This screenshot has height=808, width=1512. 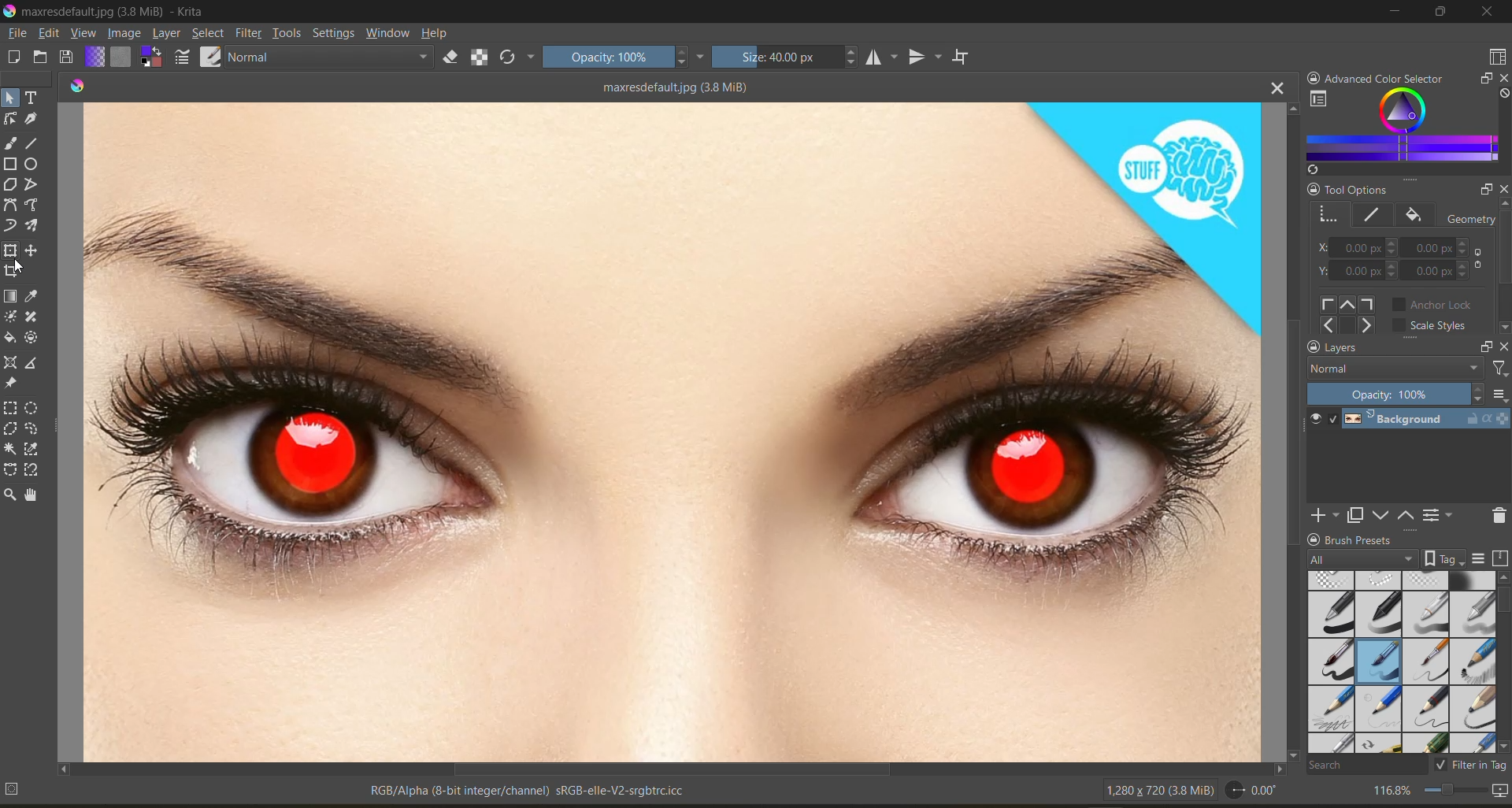 I want to click on tool, so click(x=9, y=317).